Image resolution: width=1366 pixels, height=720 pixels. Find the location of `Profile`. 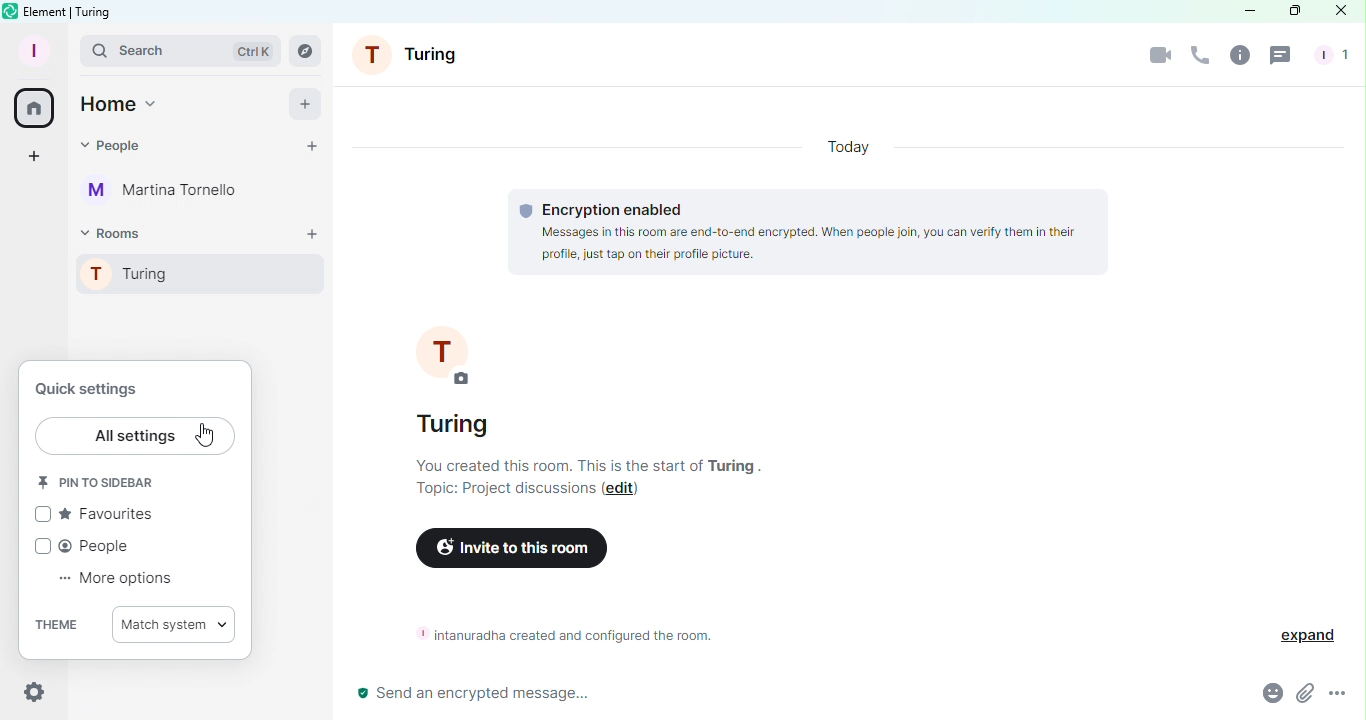

Profile is located at coordinates (31, 50).